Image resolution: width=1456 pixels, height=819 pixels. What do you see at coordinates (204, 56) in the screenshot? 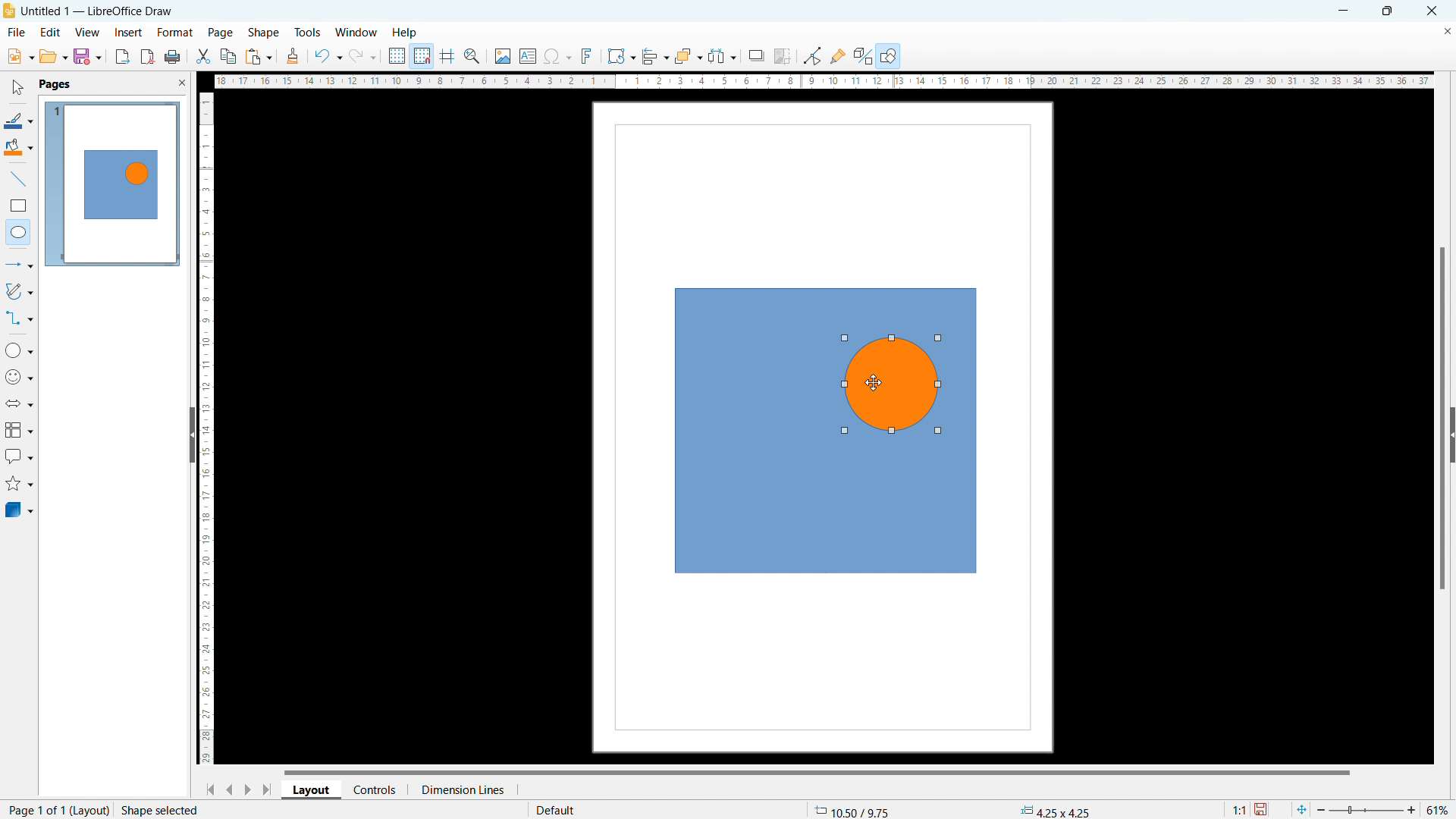
I see `cut` at bounding box center [204, 56].